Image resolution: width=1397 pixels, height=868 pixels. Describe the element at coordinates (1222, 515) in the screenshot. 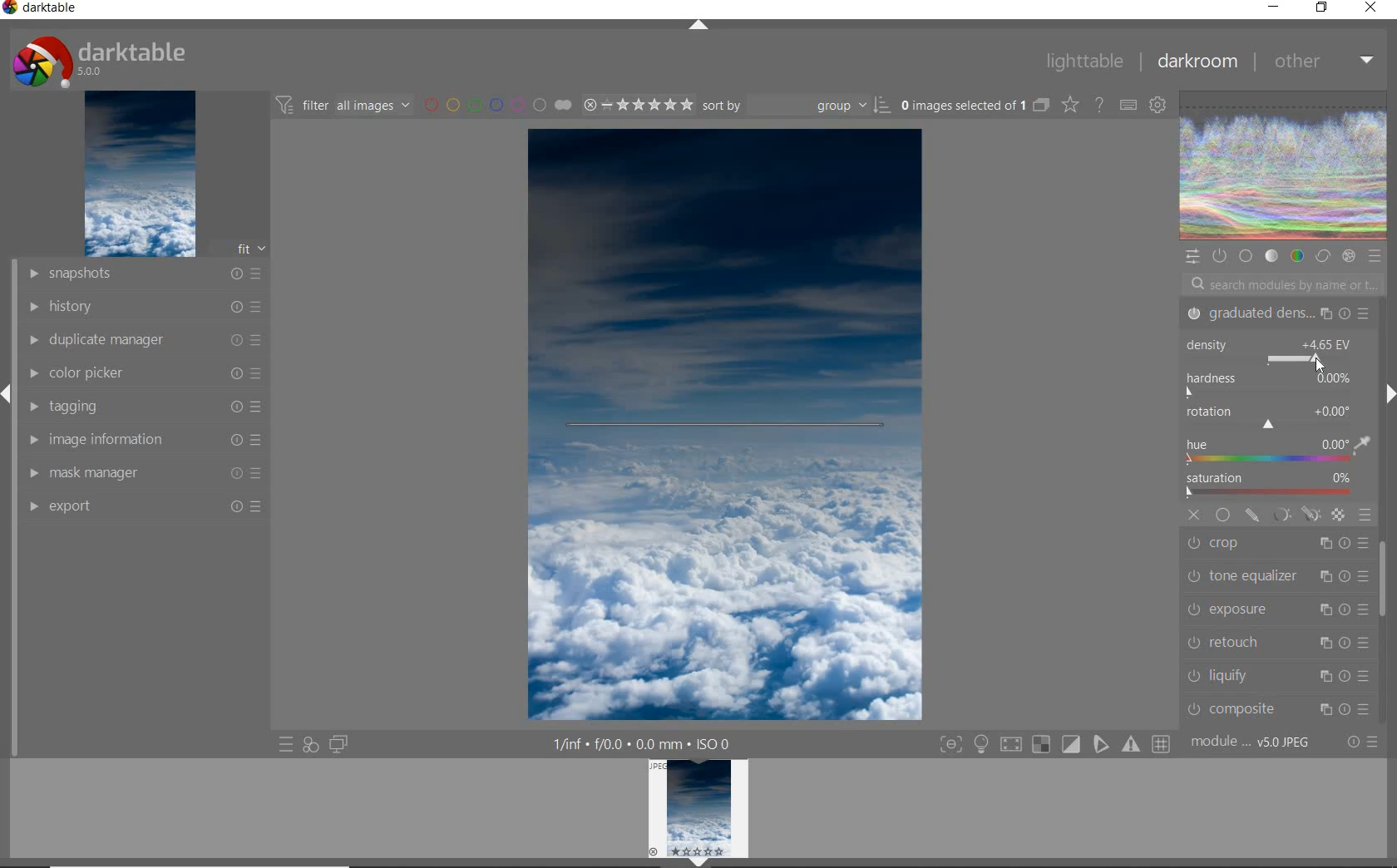

I see `UNIFORMLY` at that location.